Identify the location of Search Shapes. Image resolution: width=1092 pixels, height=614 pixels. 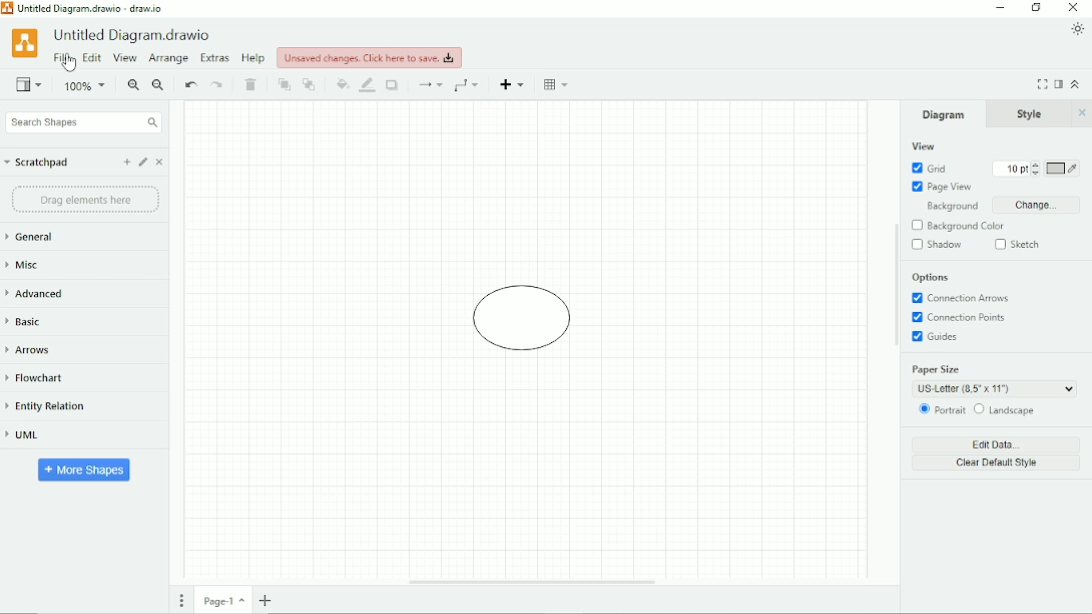
(82, 122).